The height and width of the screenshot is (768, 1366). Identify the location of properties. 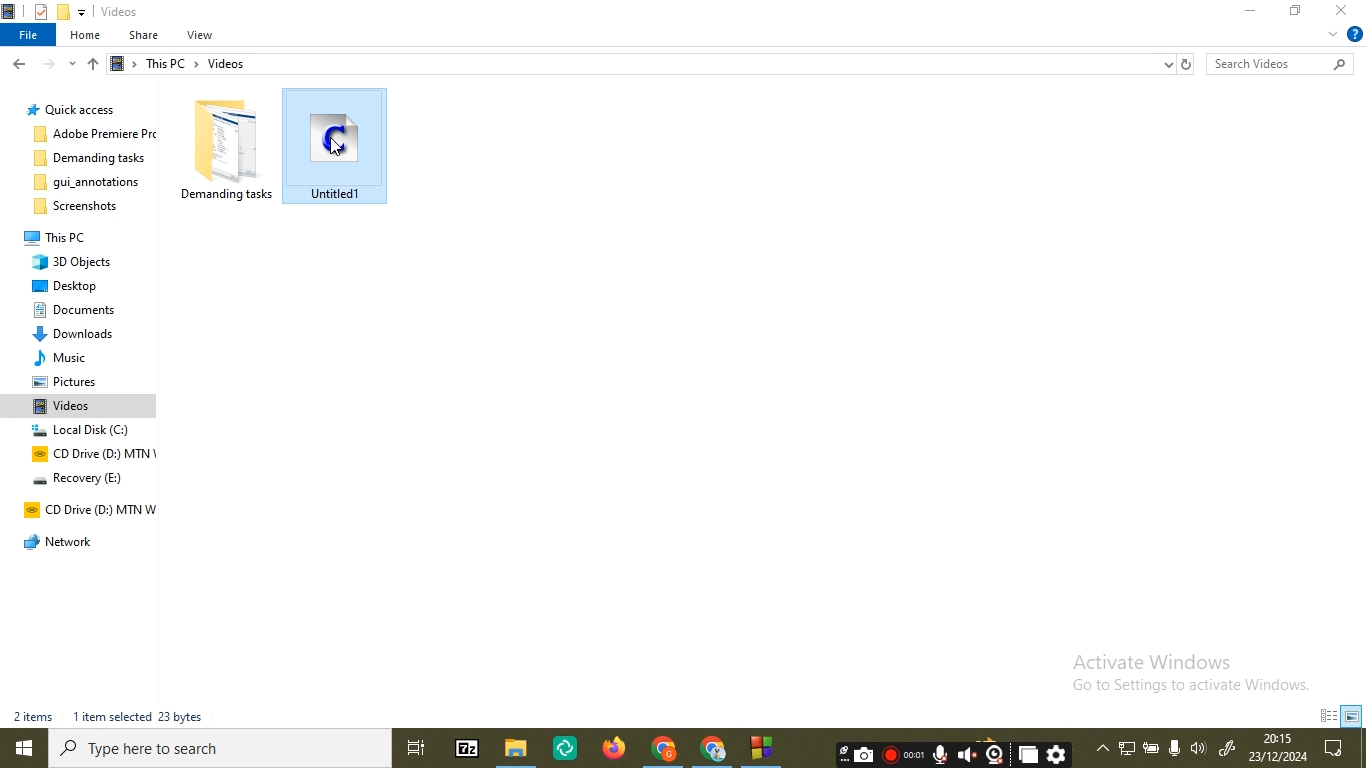
(41, 12).